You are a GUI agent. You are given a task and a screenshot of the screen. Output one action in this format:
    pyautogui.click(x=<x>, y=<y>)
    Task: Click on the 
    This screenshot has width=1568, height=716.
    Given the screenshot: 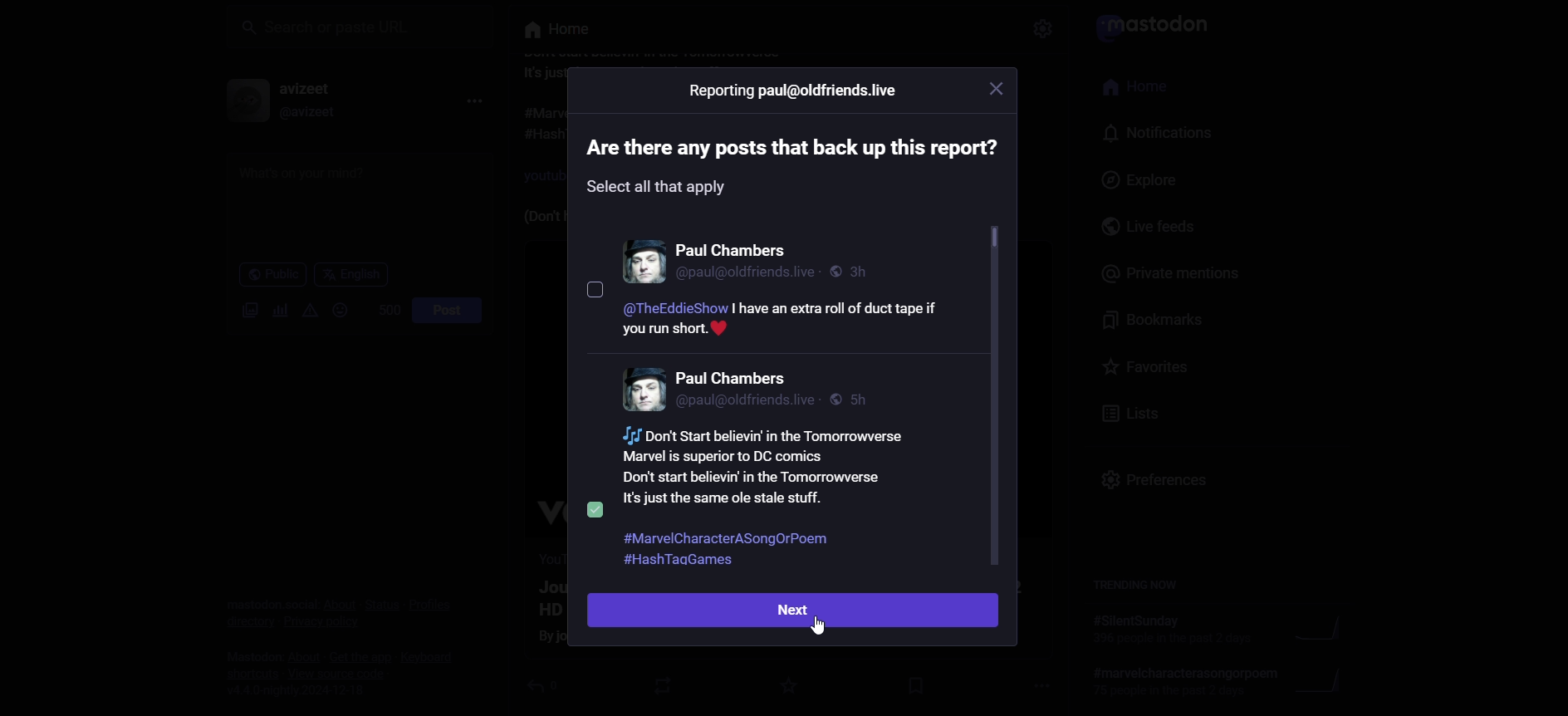 What is the action you would take?
    pyautogui.click(x=750, y=401)
    